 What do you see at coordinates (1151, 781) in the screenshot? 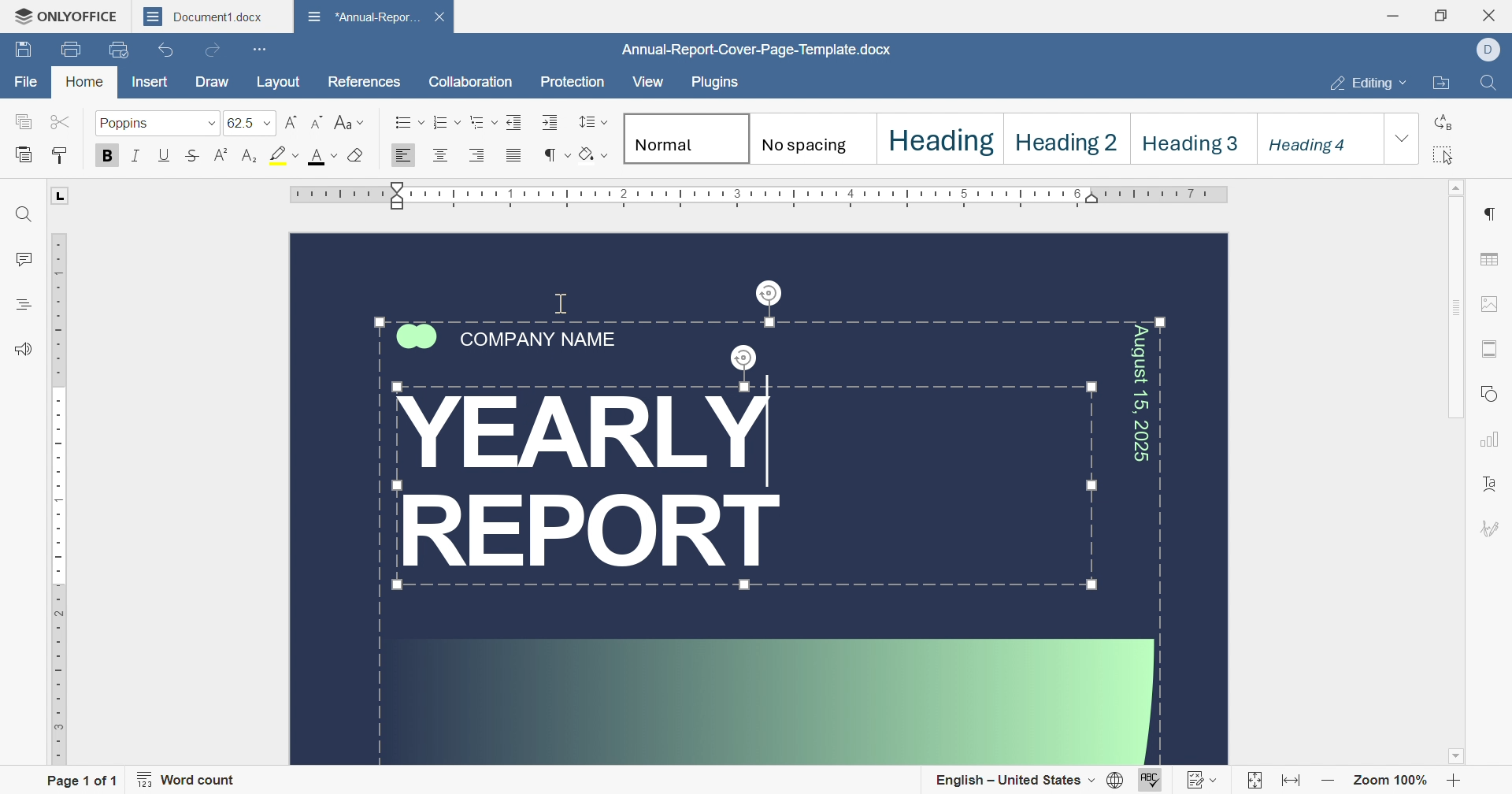
I see `spell checking` at bounding box center [1151, 781].